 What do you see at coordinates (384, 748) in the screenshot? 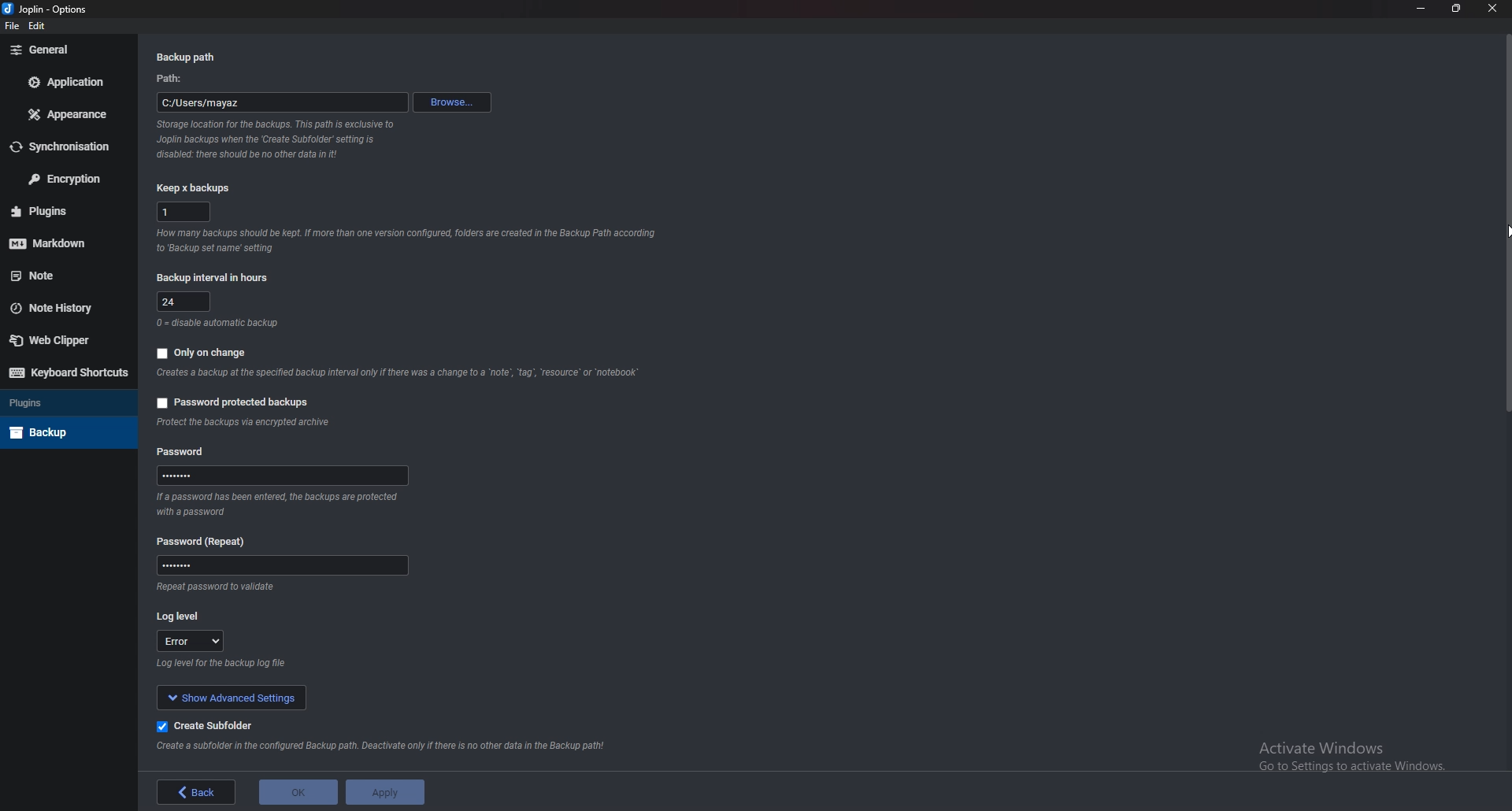
I see `Info` at bounding box center [384, 748].